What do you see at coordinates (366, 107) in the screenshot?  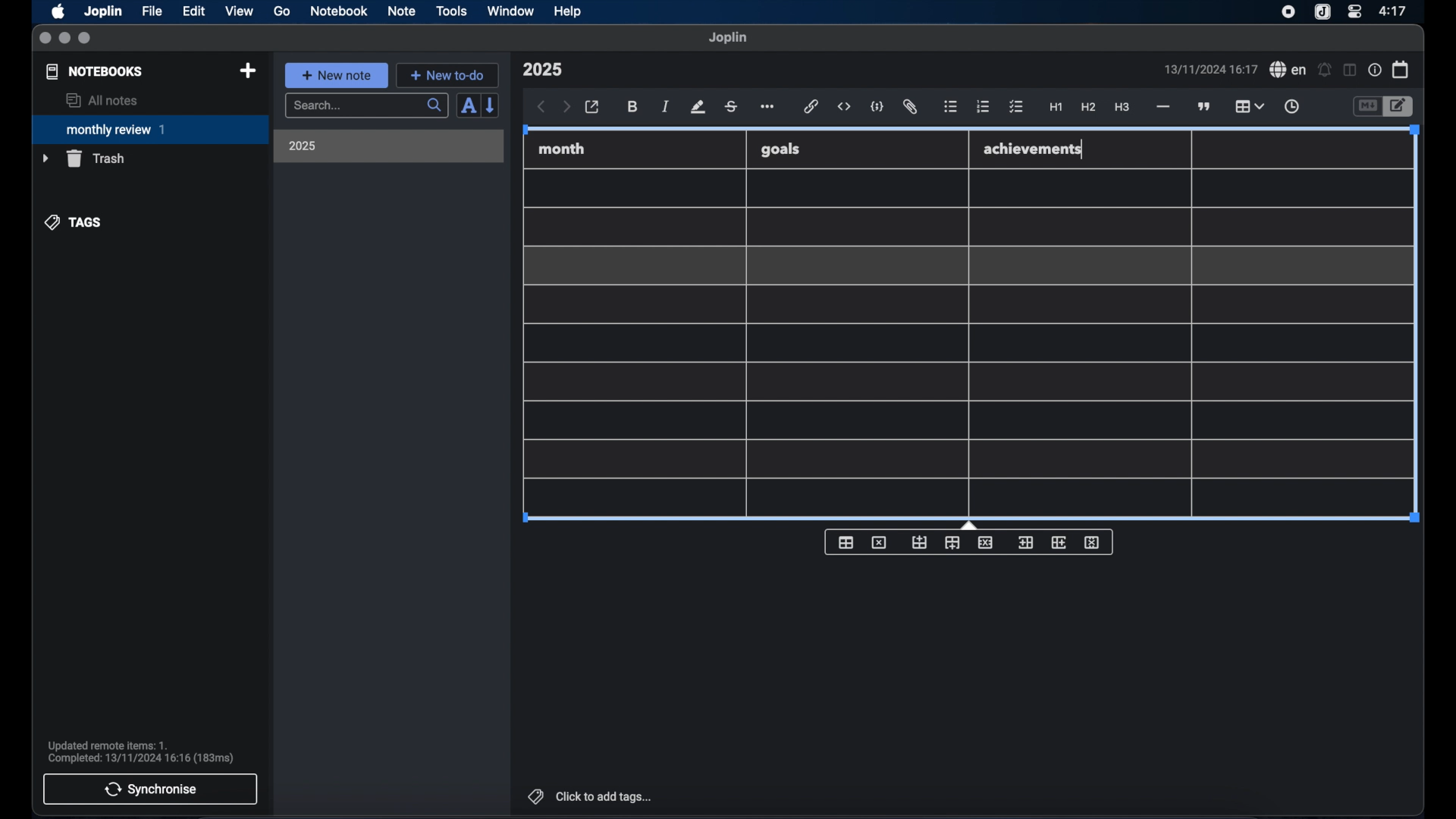 I see `search bar` at bounding box center [366, 107].